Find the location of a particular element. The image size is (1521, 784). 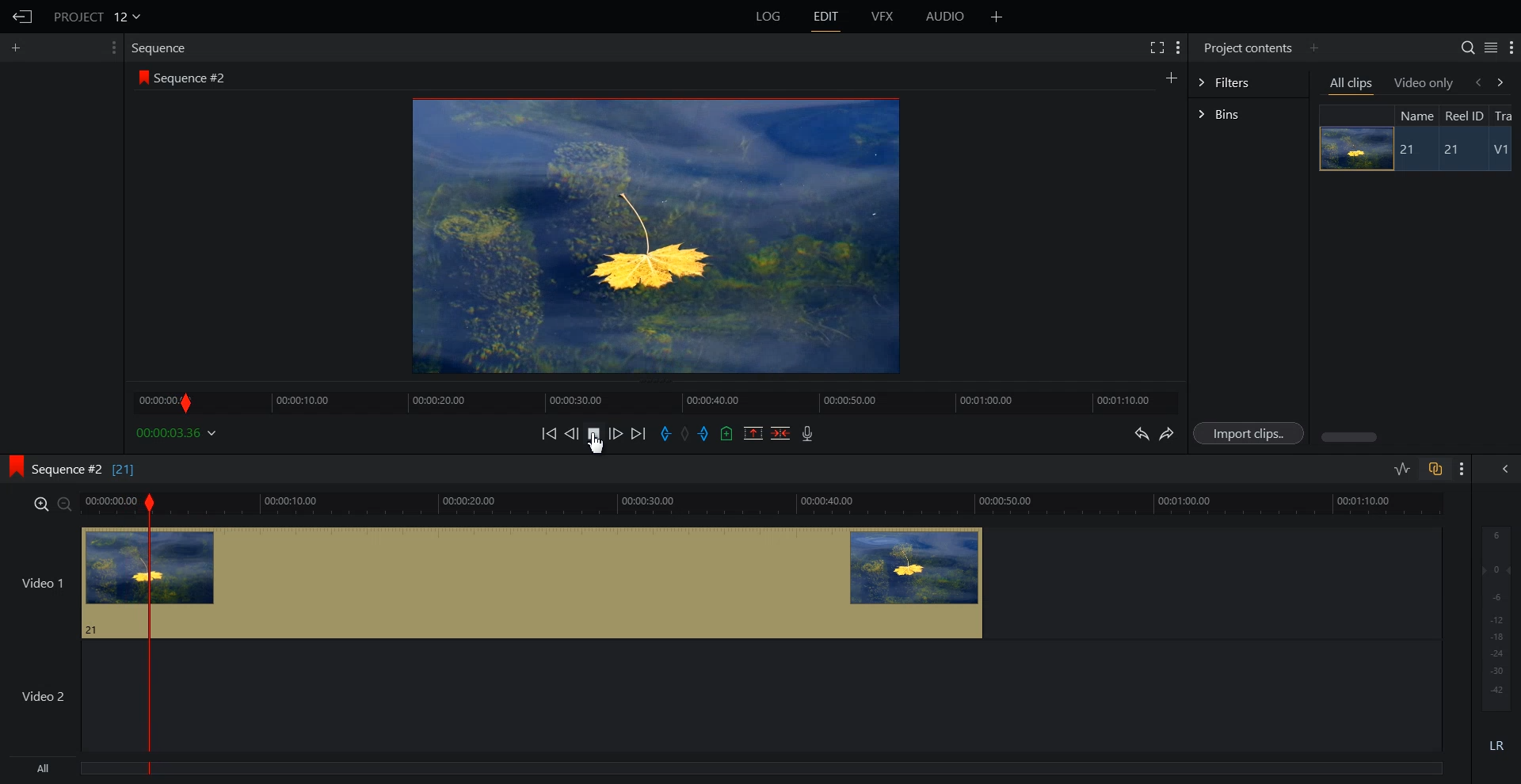

Reel ID is located at coordinates (1463, 116).